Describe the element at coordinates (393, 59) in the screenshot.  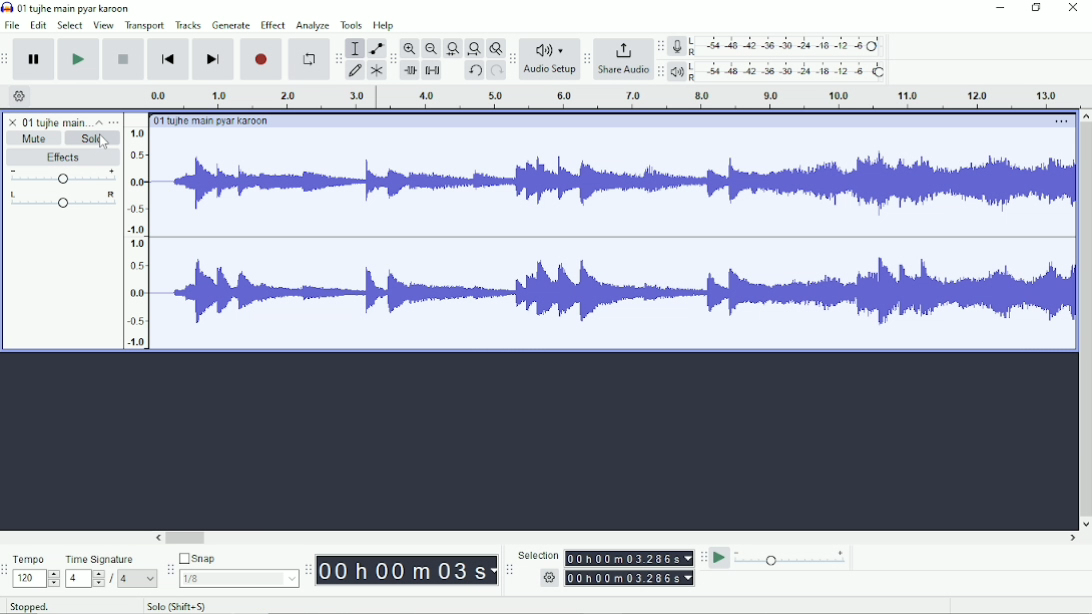
I see `Audacity edit toolbar` at that location.